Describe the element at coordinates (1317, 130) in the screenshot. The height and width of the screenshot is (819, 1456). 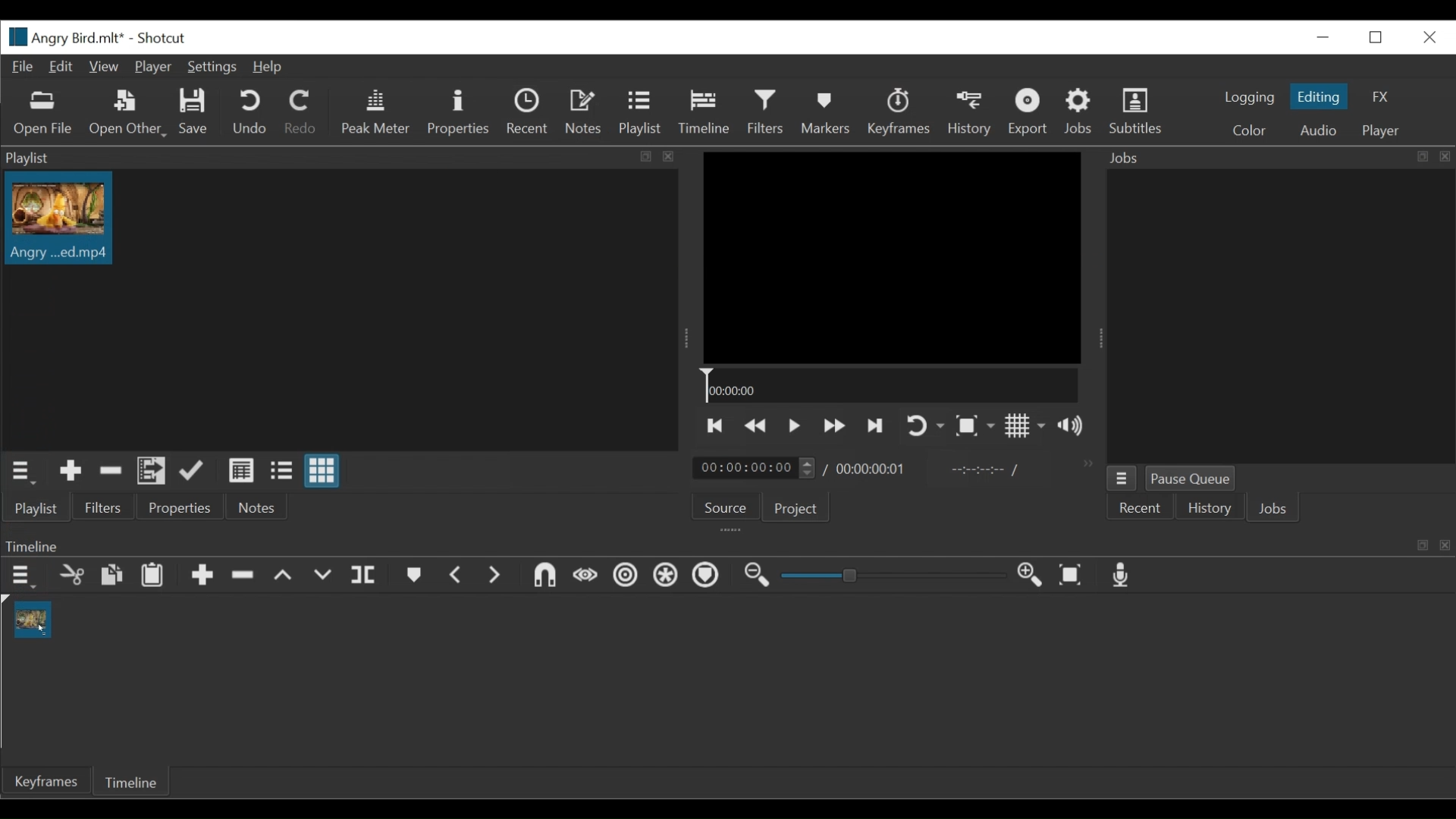
I see `Audio` at that location.